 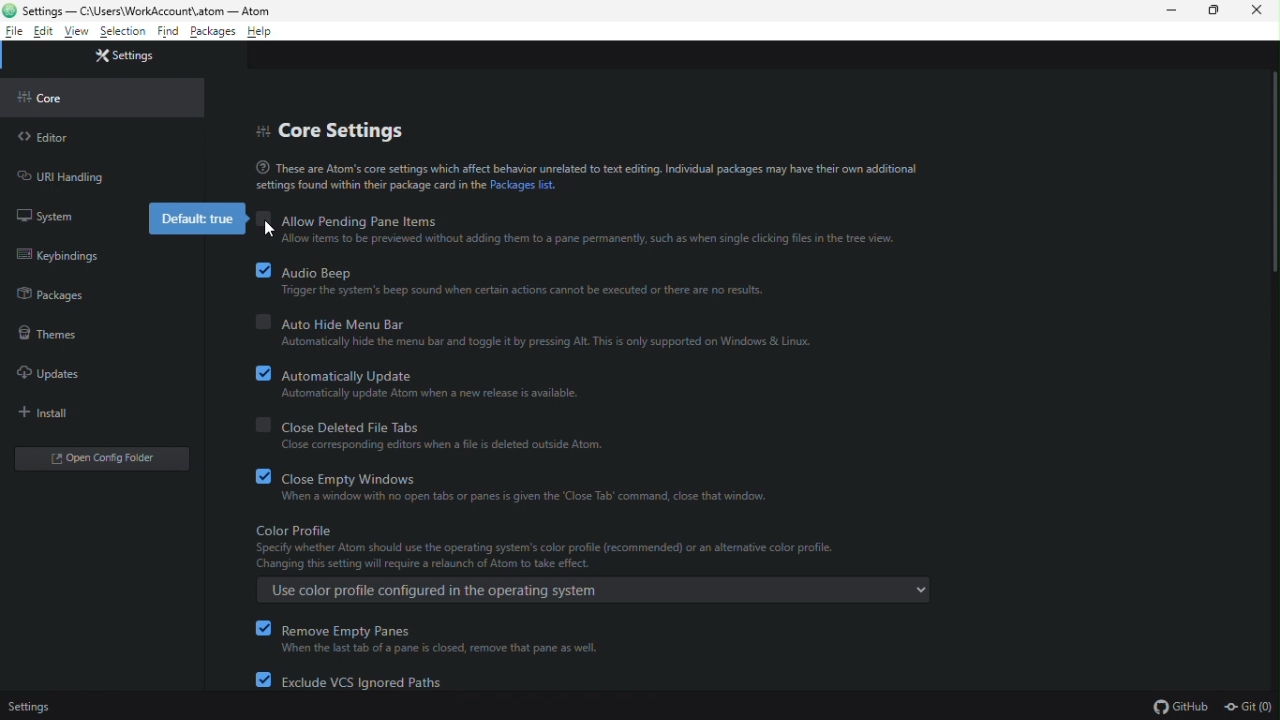 What do you see at coordinates (57, 98) in the screenshot?
I see `core` at bounding box center [57, 98].